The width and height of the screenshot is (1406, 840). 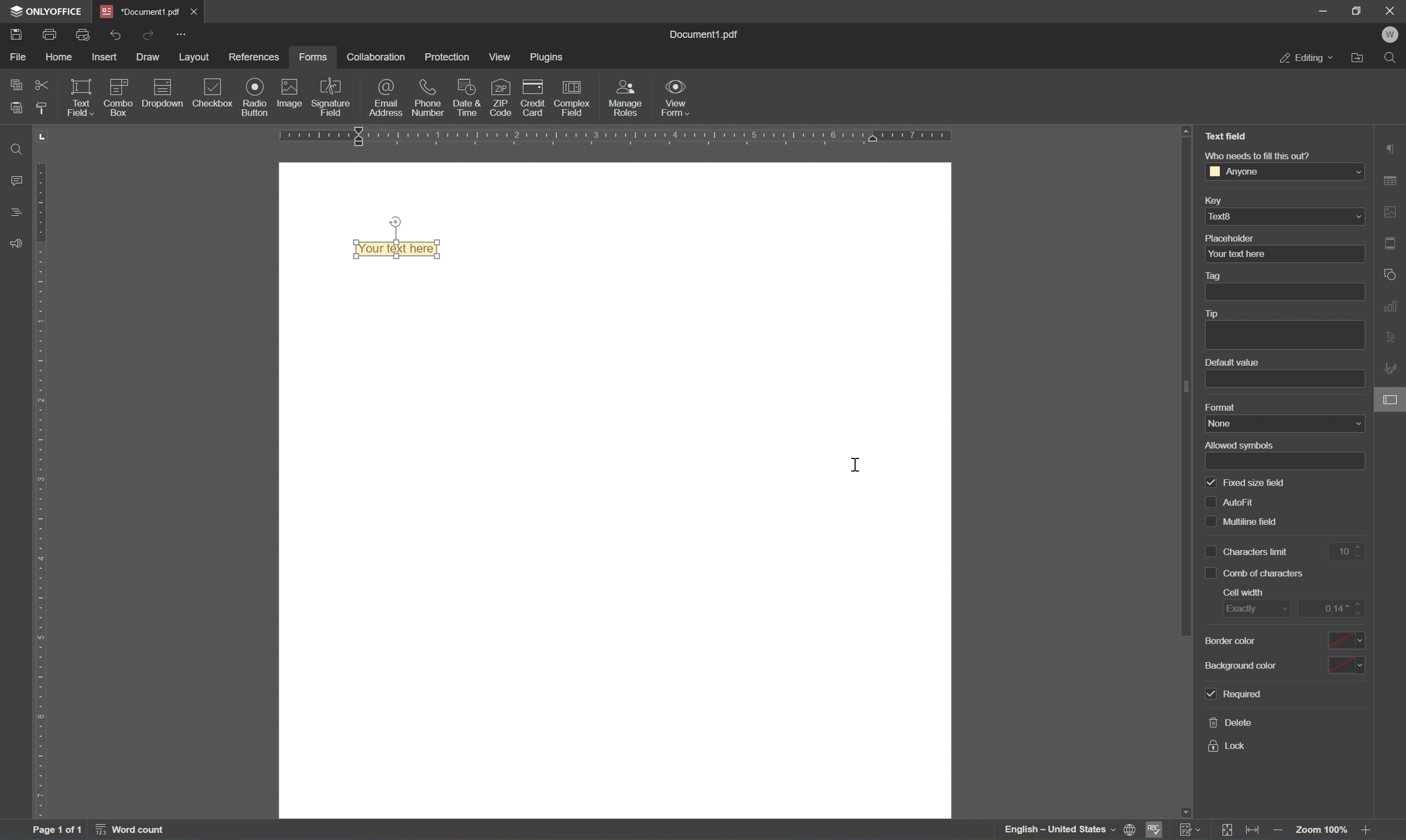 I want to click on text art settings, so click(x=1392, y=339).